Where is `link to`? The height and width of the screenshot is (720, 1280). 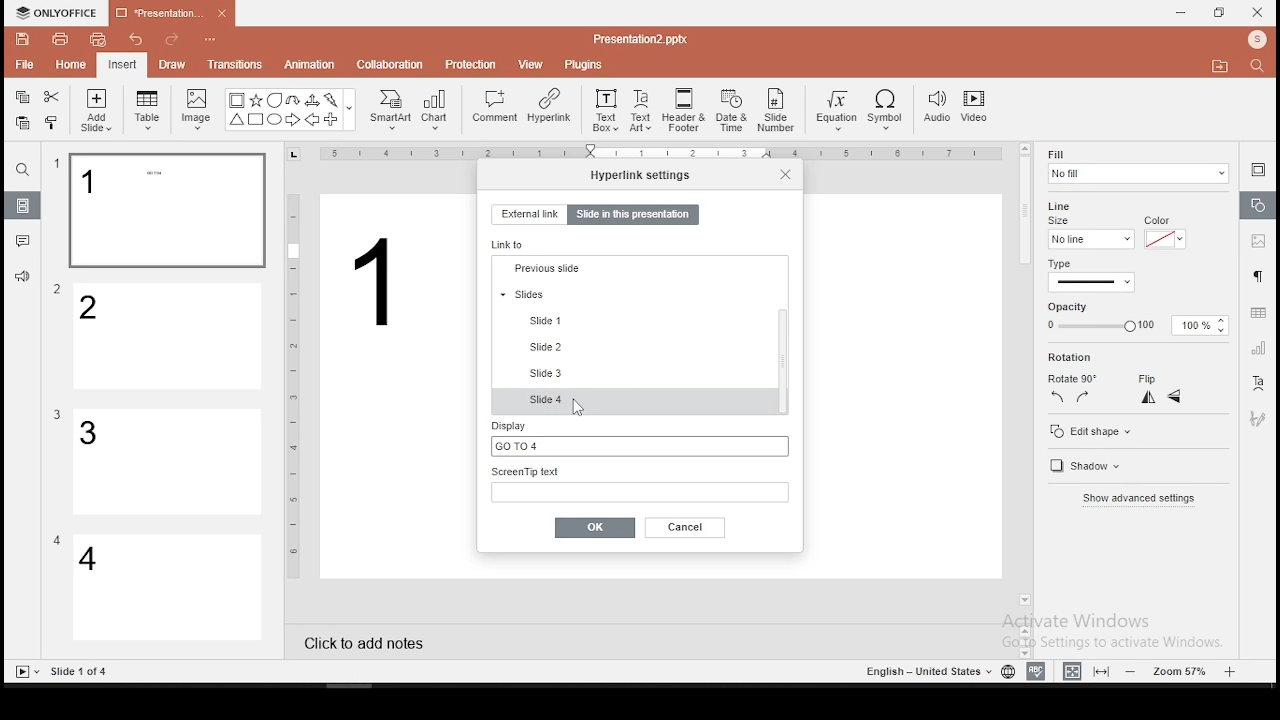
link to is located at coordinates (511, 244).